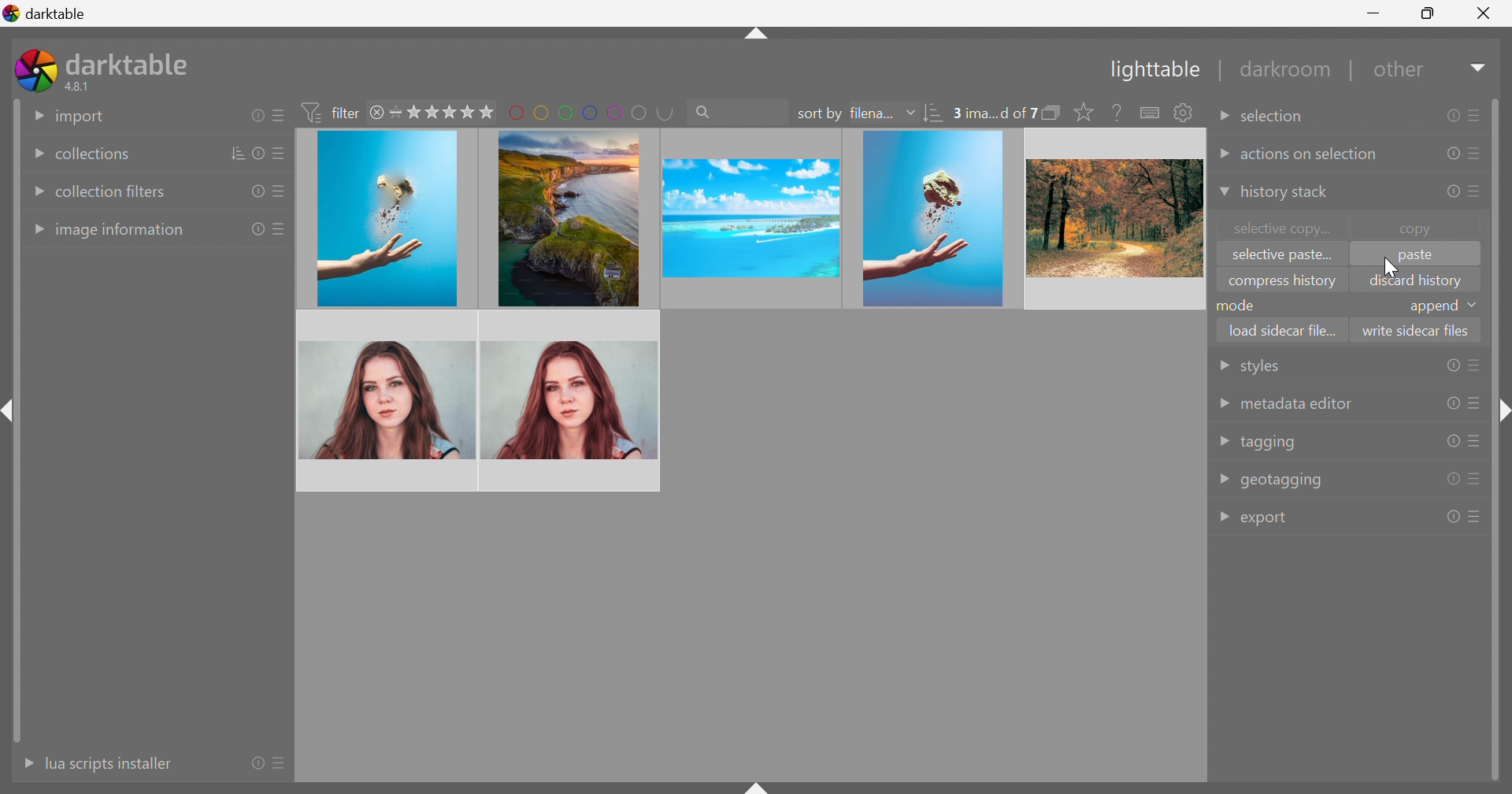 This screenshot has height=794, width=1512. I want to click on presets, so click(1478, 153).